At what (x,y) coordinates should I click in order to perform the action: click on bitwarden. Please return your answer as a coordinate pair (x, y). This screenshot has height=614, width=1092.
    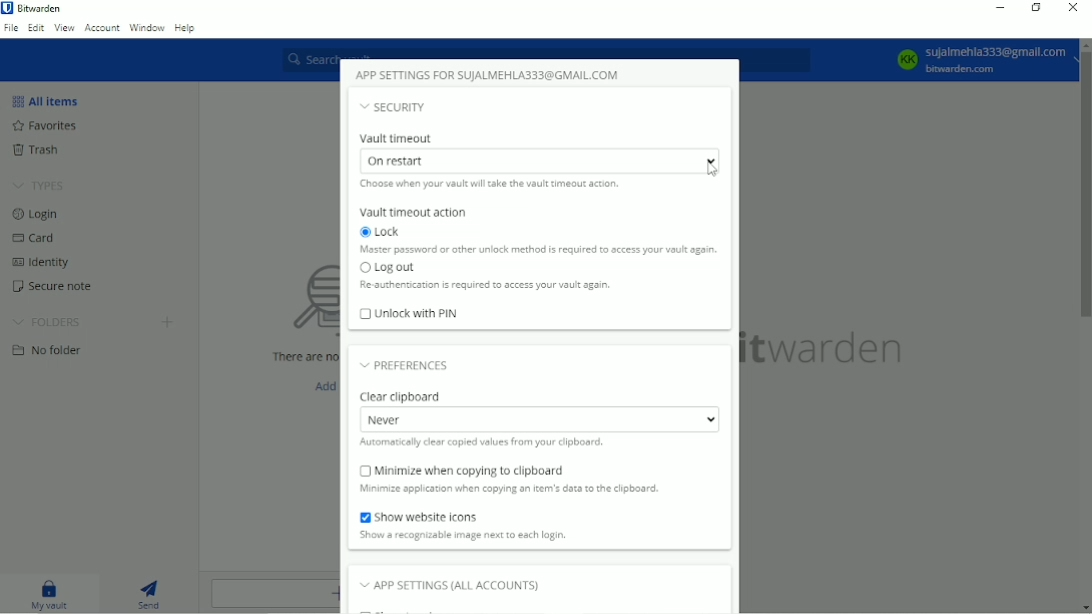
    Looking at the image, I should click on (829, 350).